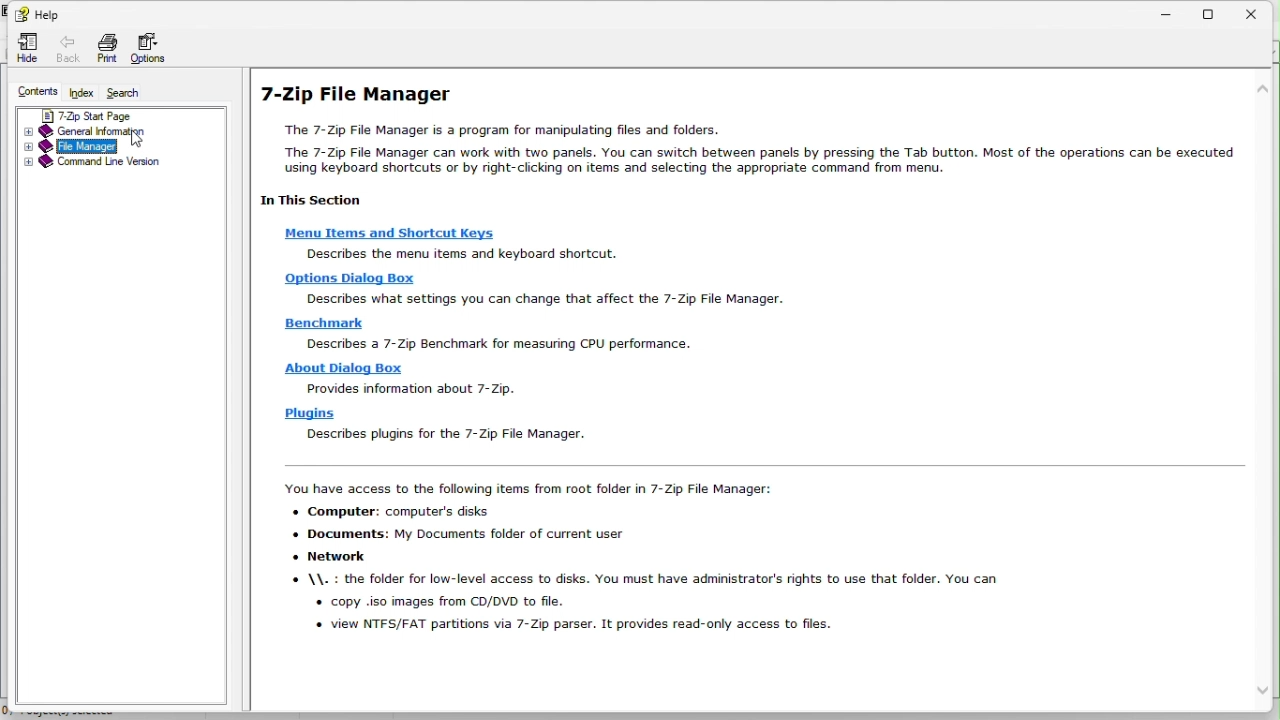 The image size is (1280, 720). I want to click on Options dialogue box, so click(347, 280).